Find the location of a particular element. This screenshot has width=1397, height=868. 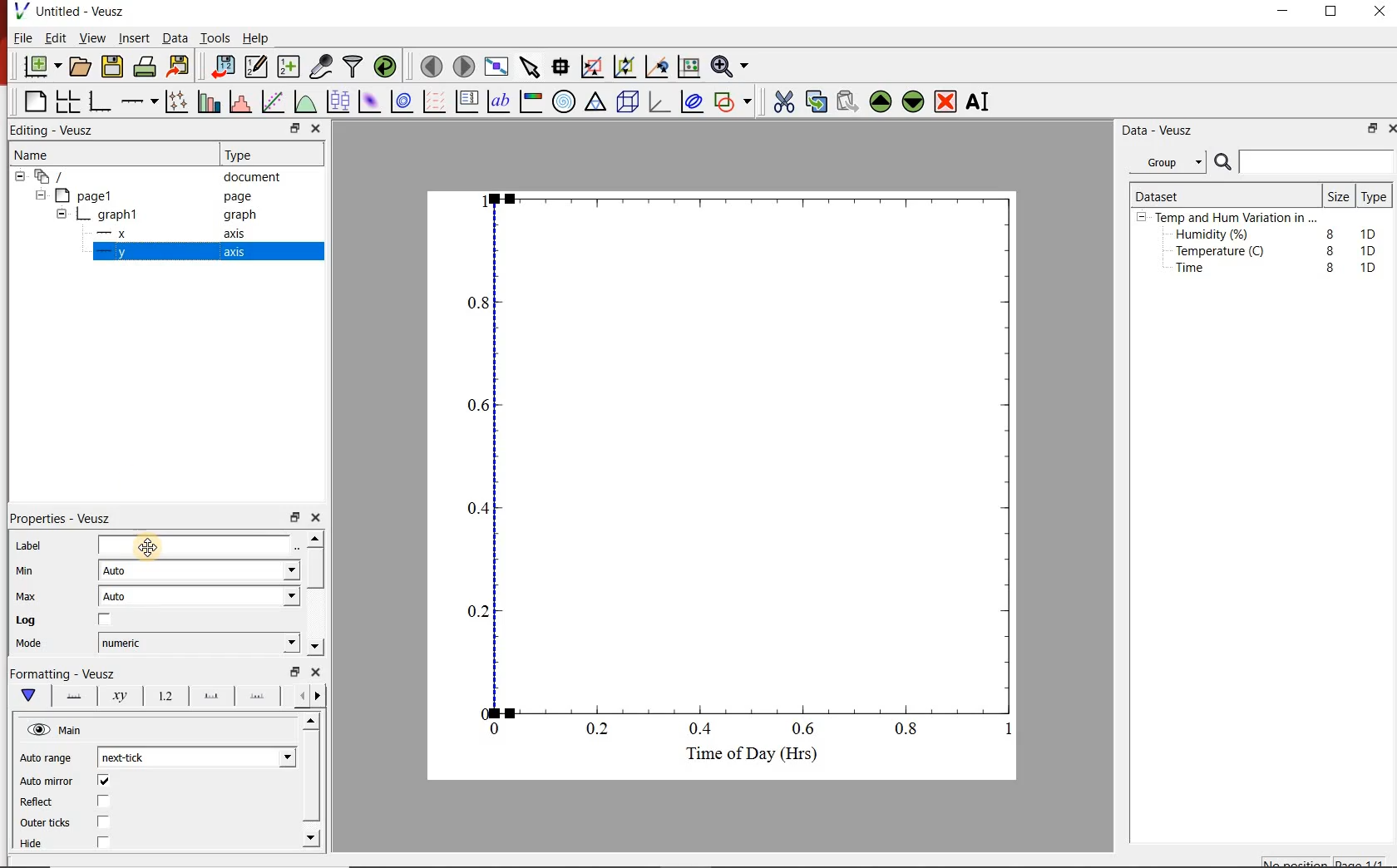

base graph is located at coordinates (101, 99).